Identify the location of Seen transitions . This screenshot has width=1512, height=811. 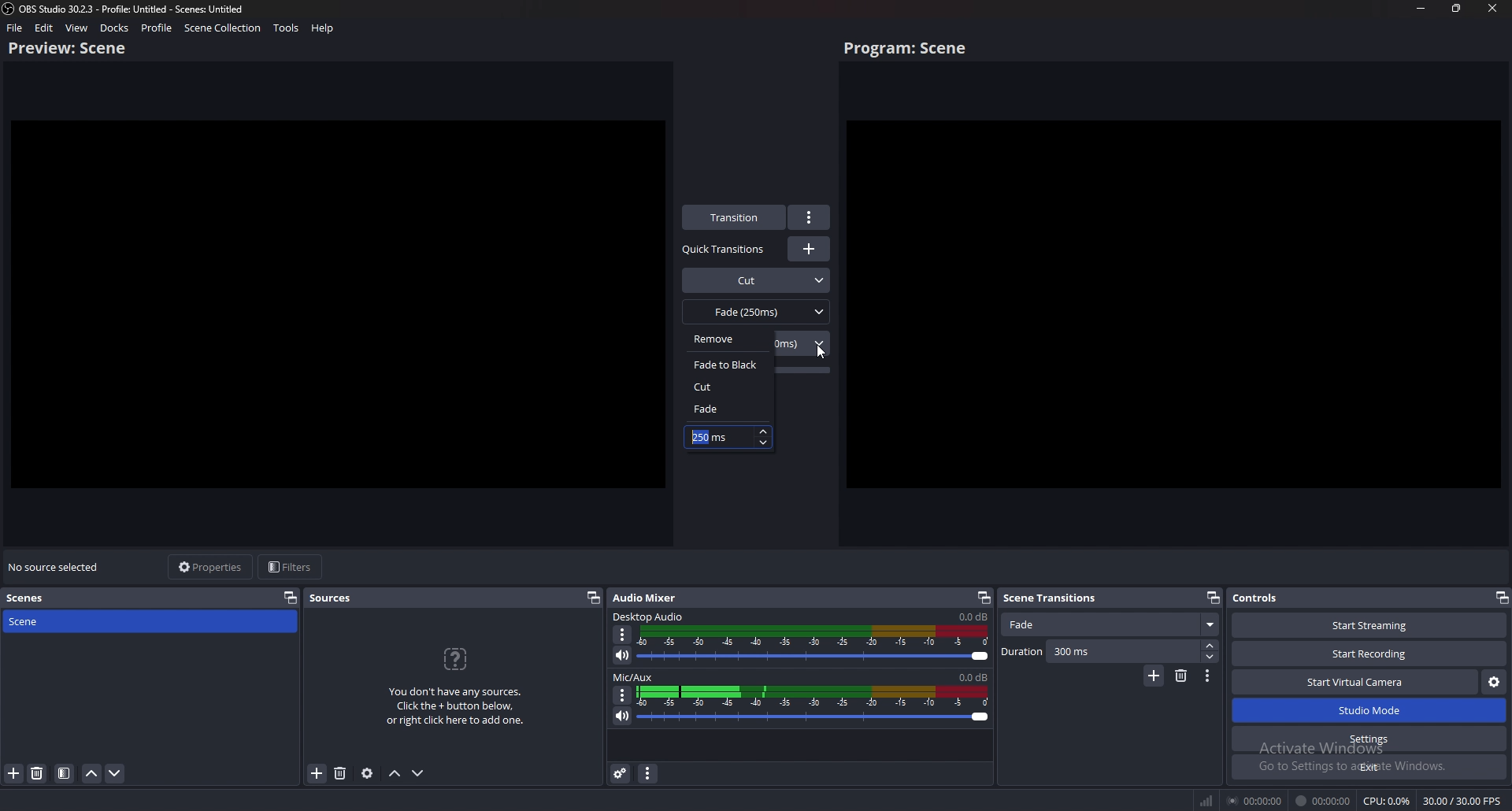
(1054, 597).